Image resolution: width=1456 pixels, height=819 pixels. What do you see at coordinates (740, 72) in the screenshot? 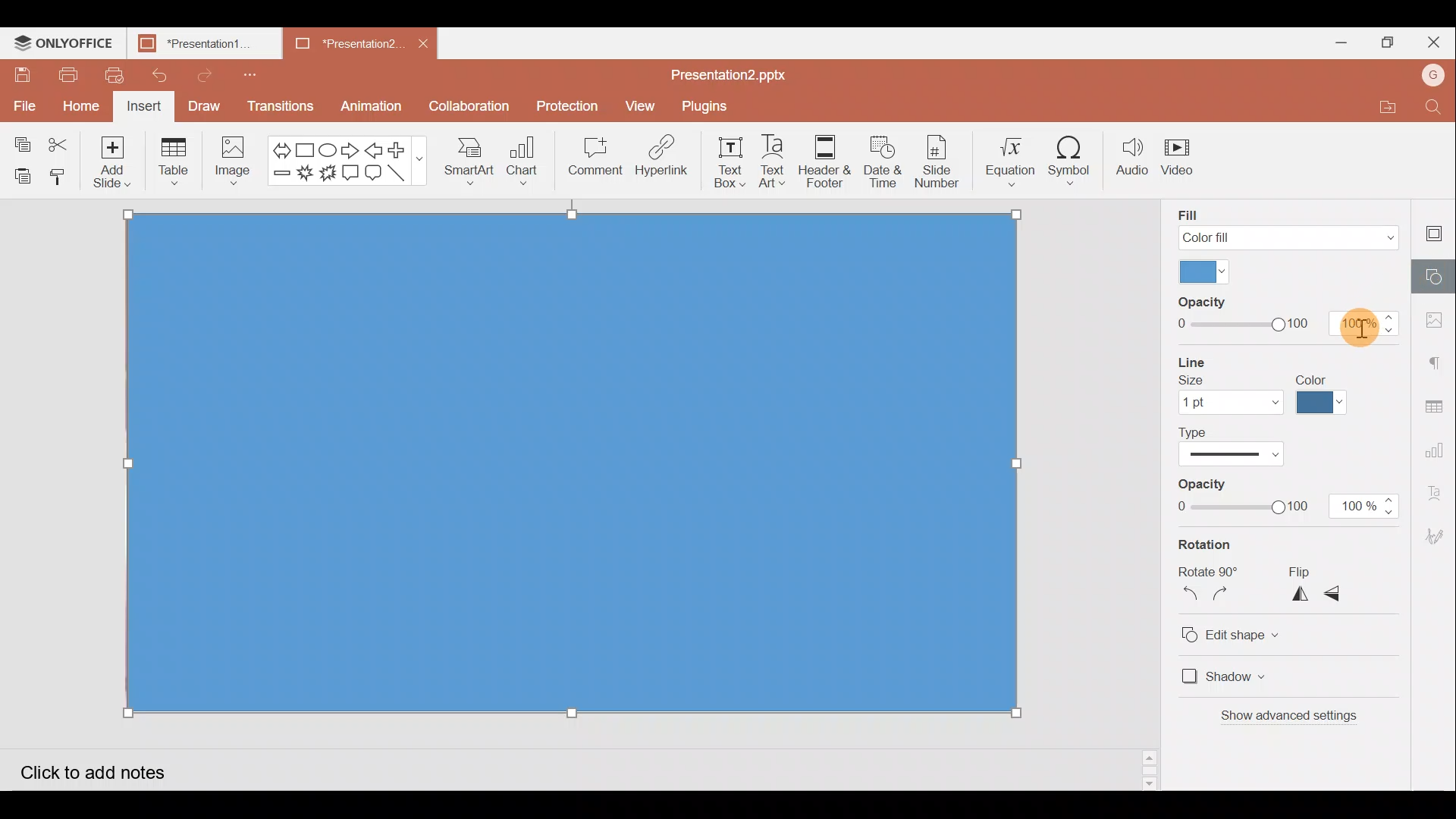
I see `Presentation2.pptx` at bounding box center [740, 72].